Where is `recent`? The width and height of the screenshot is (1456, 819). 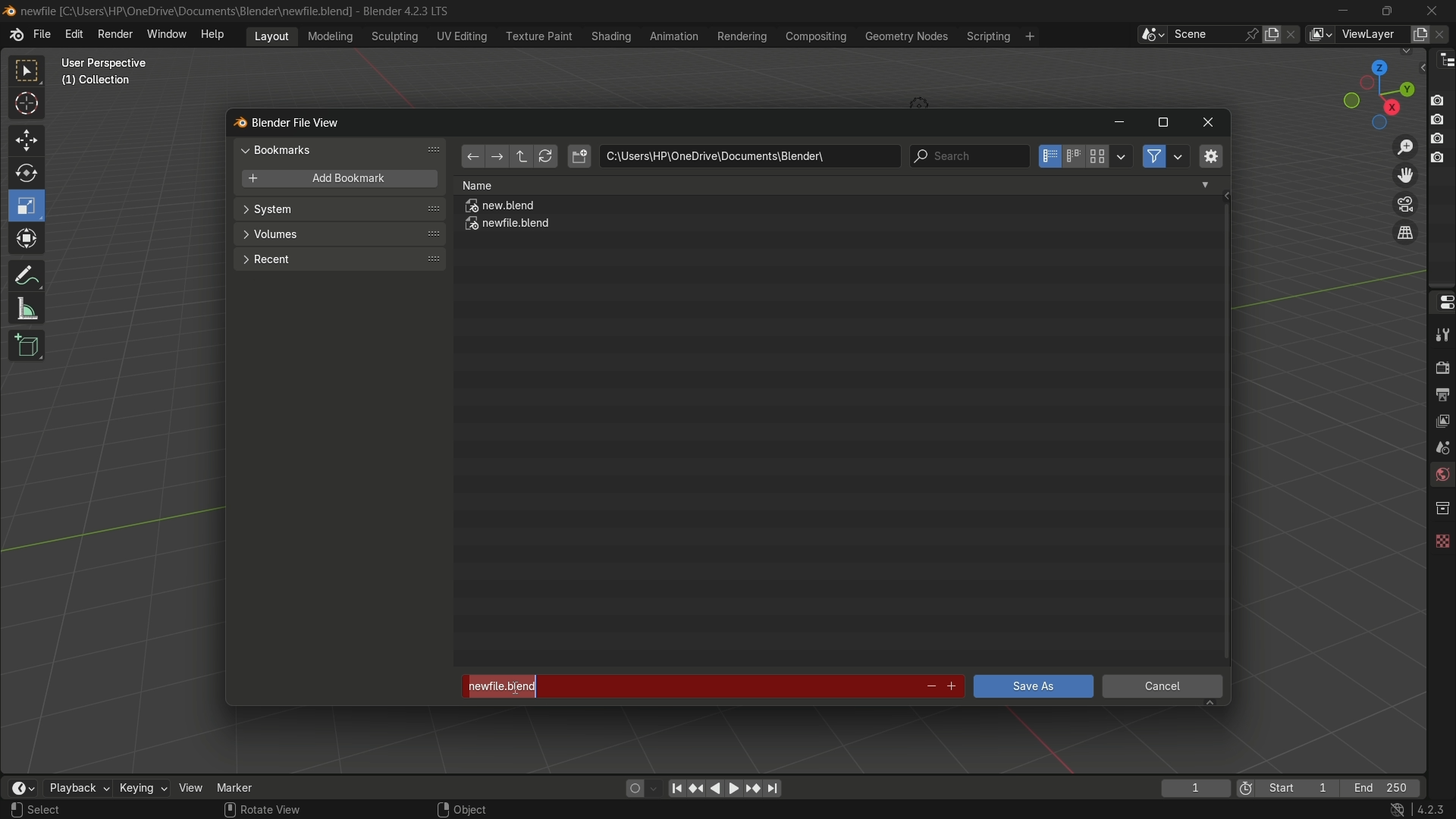
recent is located at coordinates (337, 258).